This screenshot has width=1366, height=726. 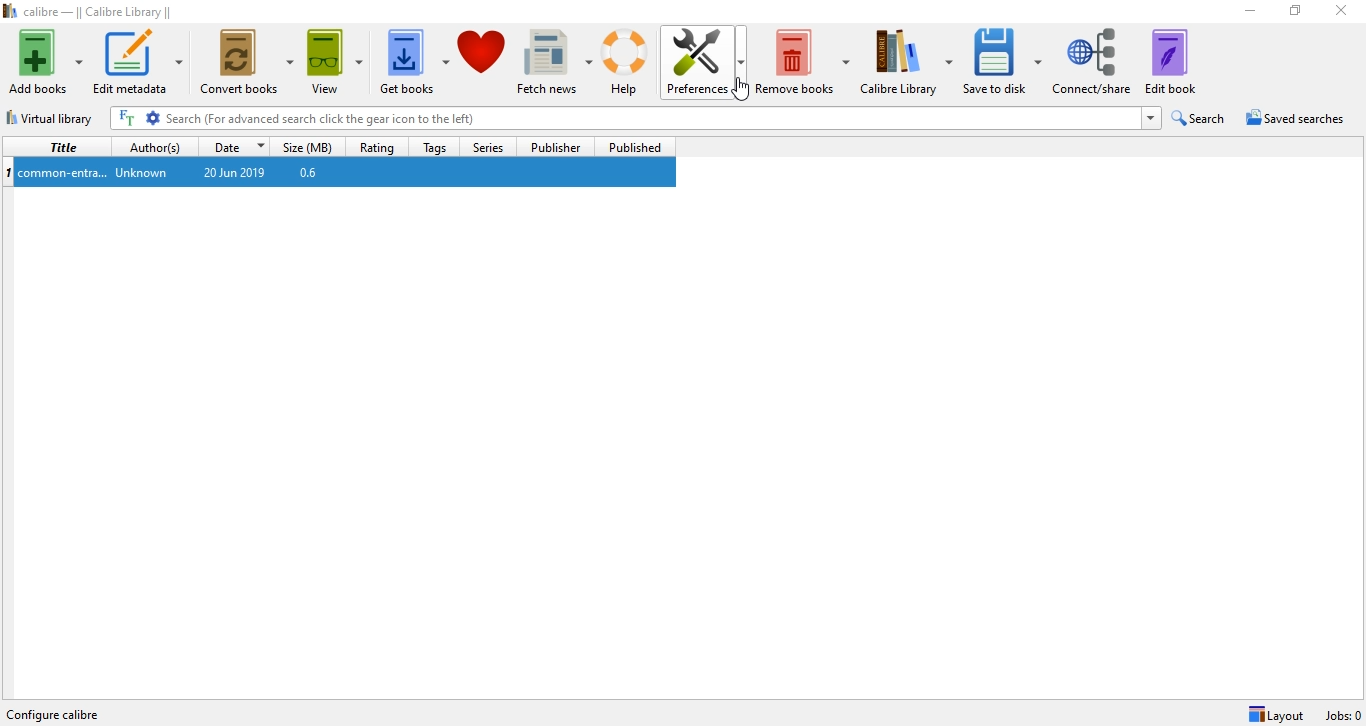 I want to click on search history, so click(x=1151, y=119).